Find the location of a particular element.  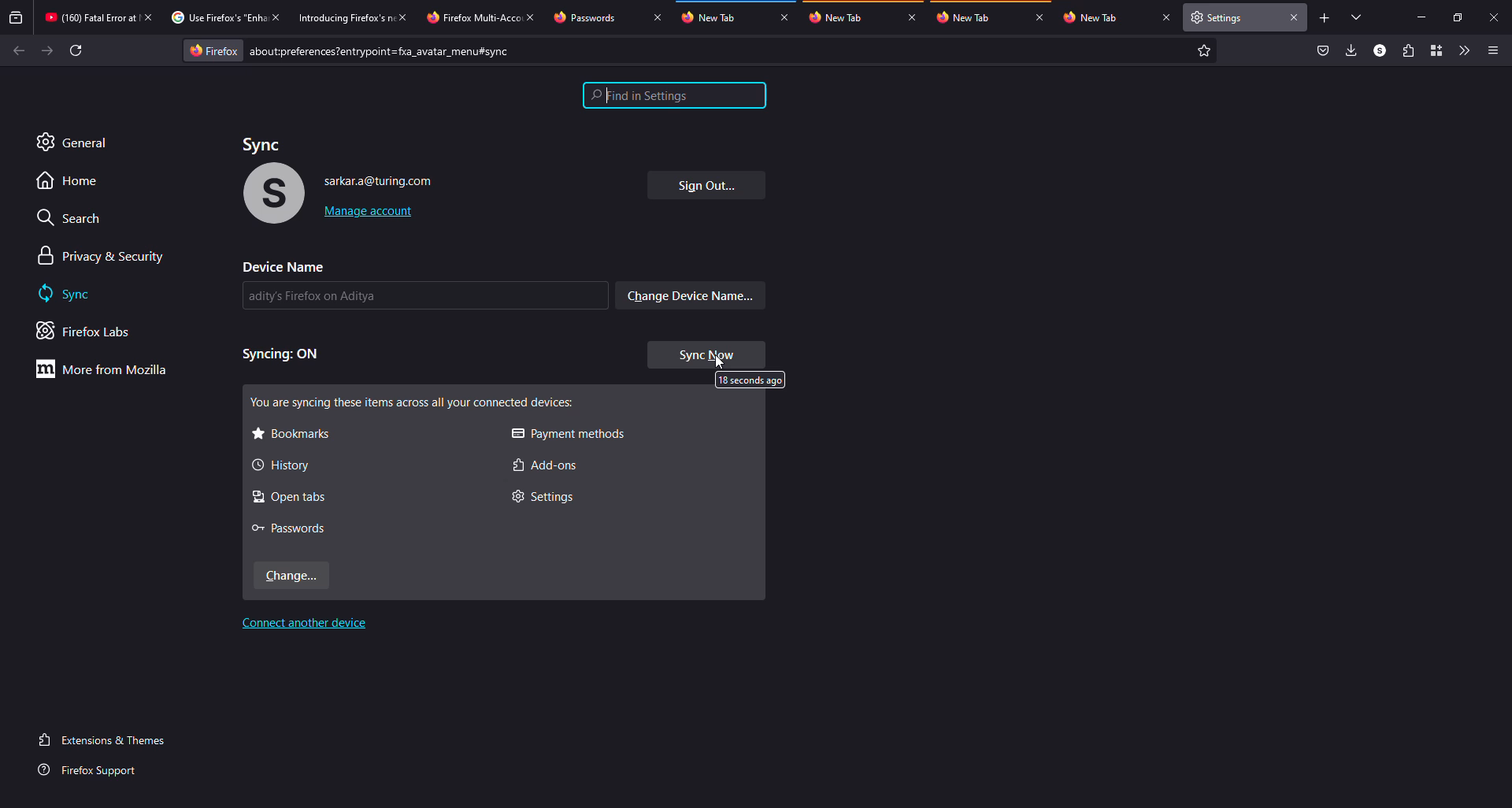

tab is located at coordinates (1099, 17).